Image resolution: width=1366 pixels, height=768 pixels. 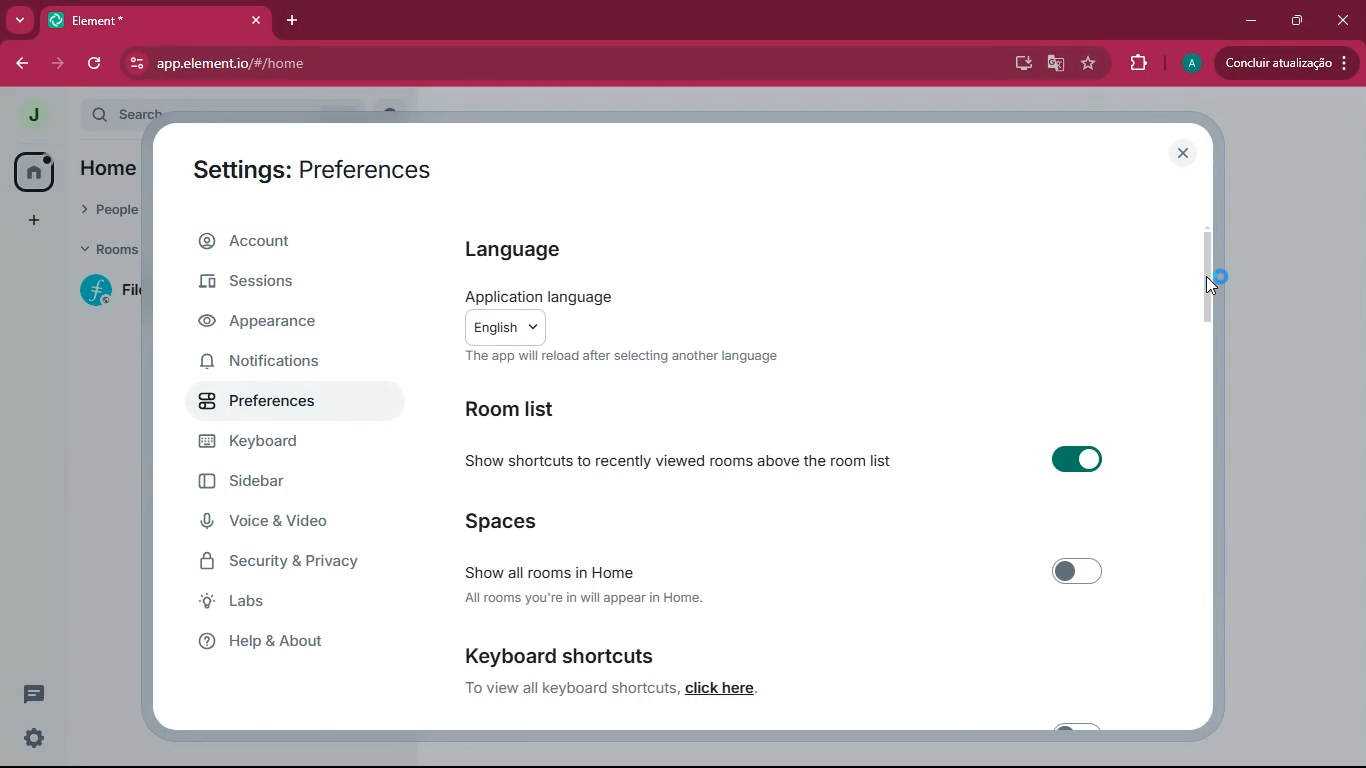 I want to click on maximize, so click(x=1300, y=22).